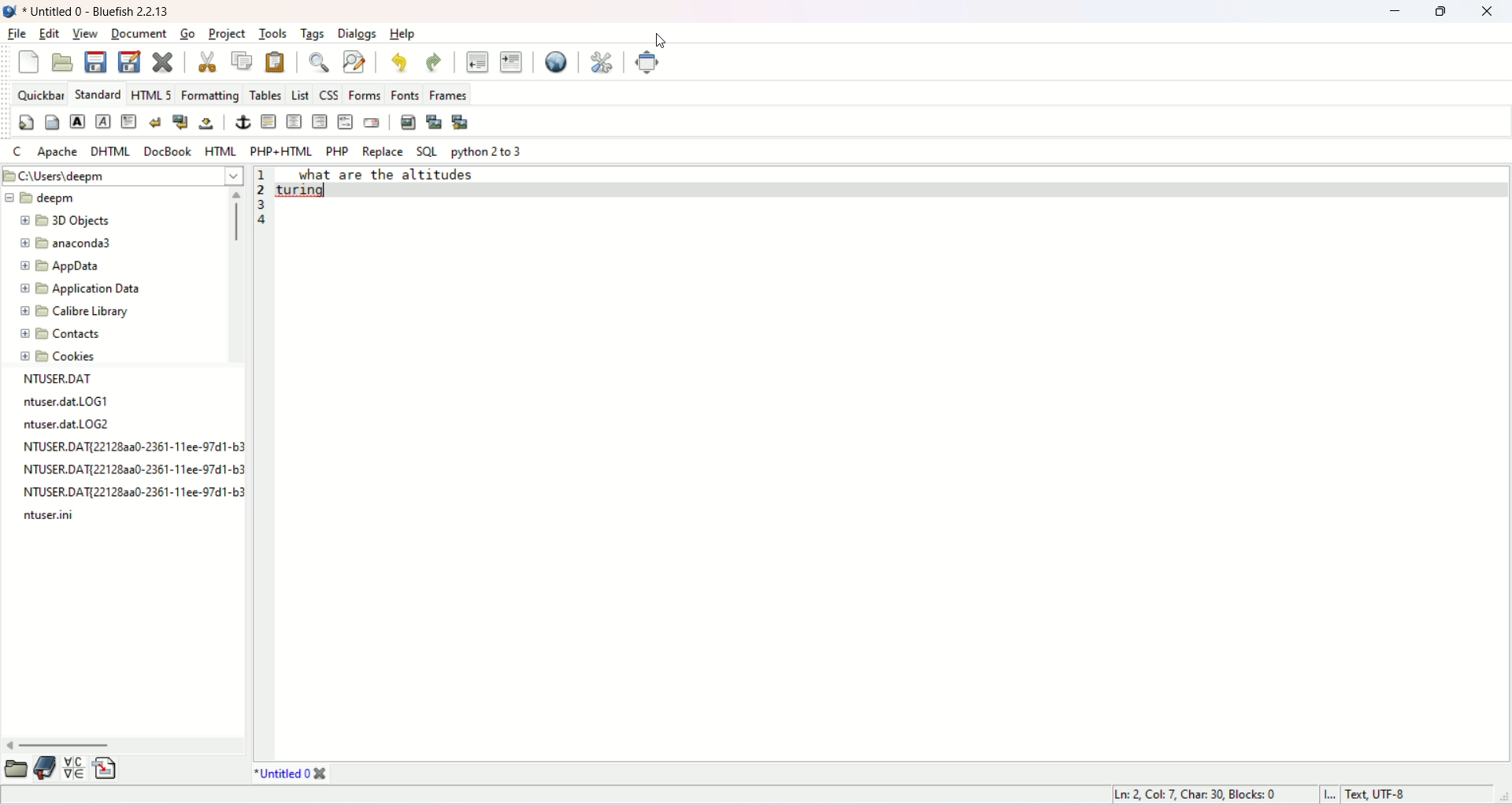 This screenshot has width=1512, height=805. Describe the element at coordinates (556, 62) in the screenshot. I see `preview in browser` at that location.